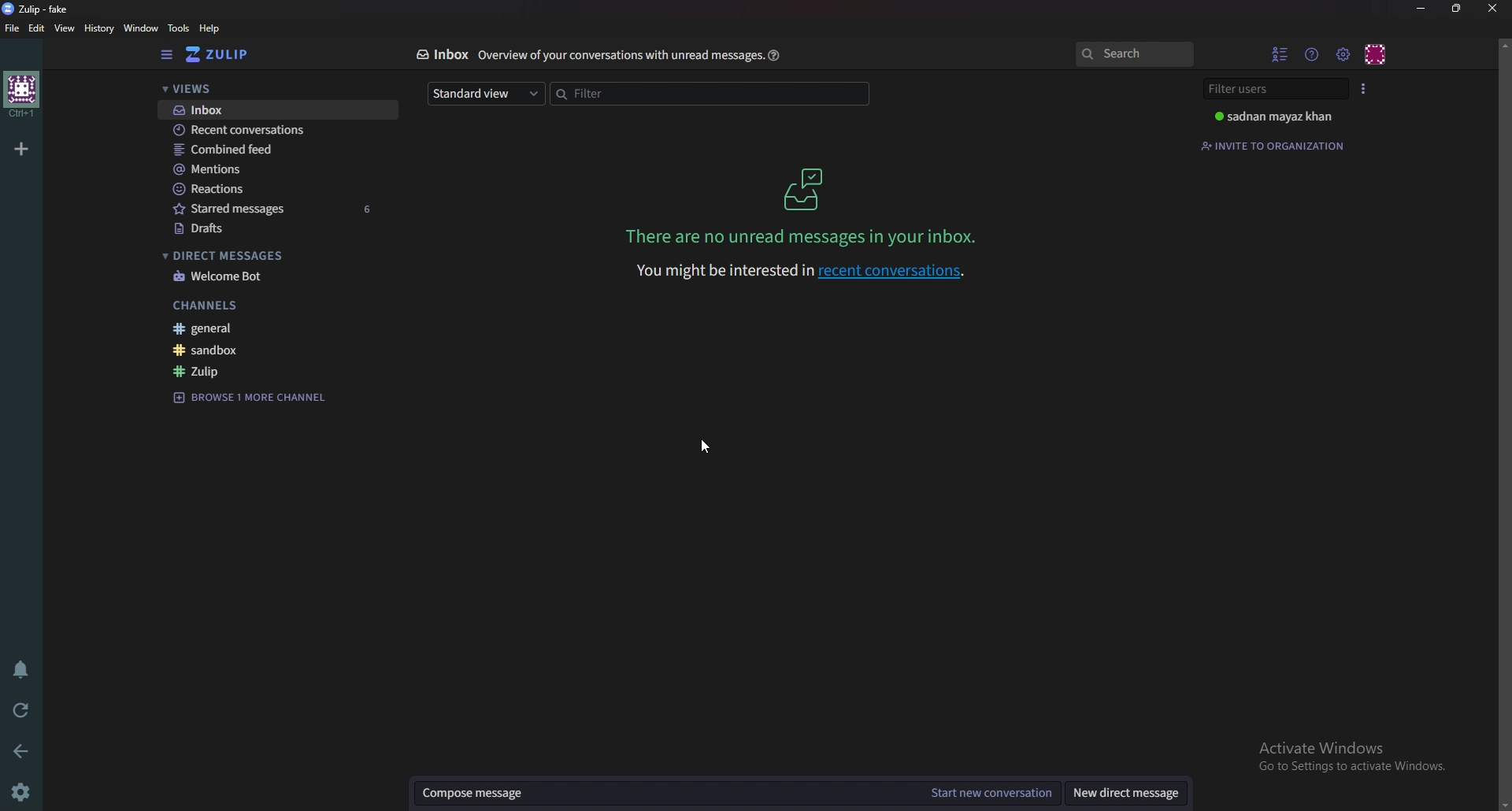  Describe the element at coordinates (278, 229) in the screenshot. I see `Drafts` at that location.